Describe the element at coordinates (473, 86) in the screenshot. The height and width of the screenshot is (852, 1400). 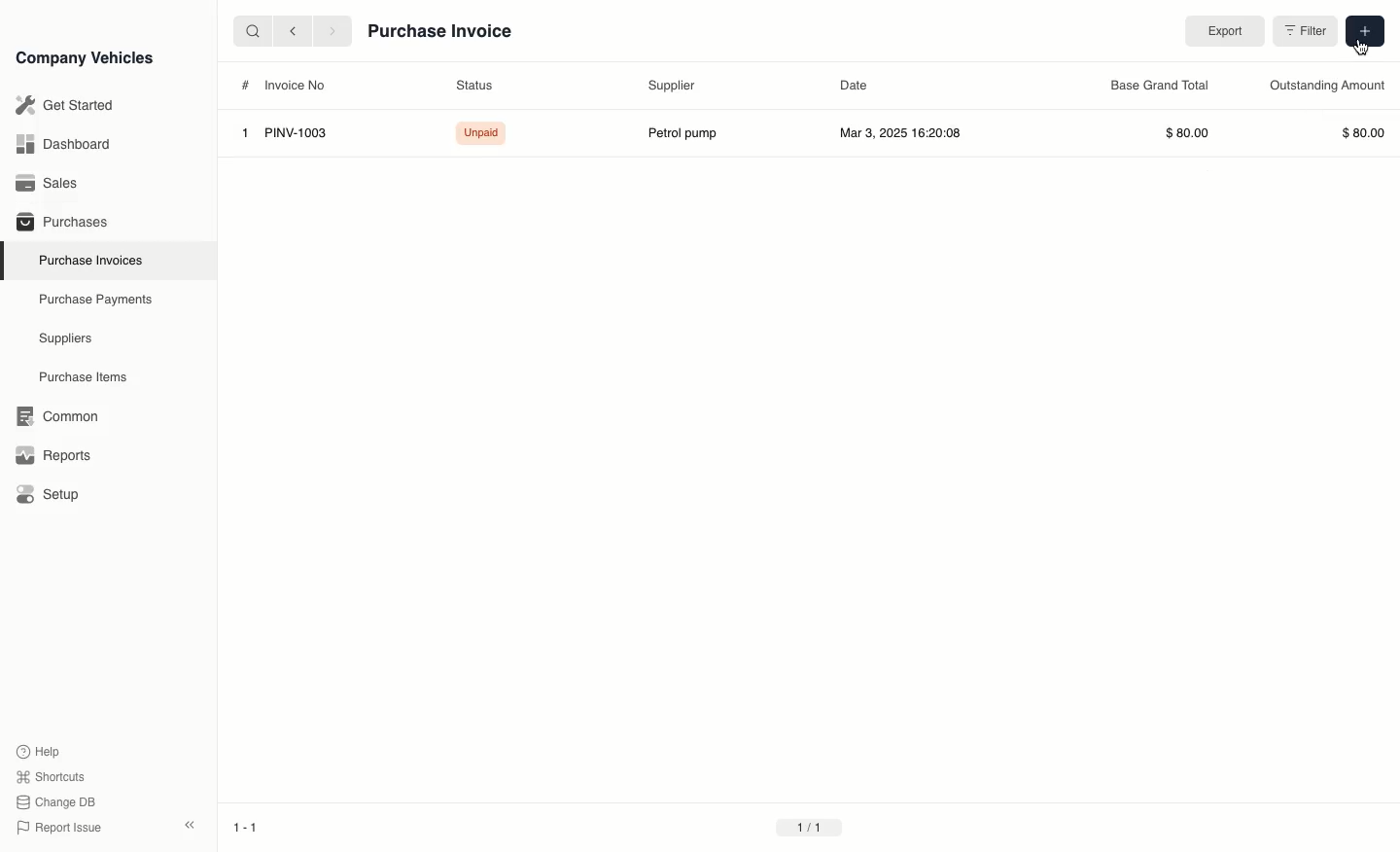
I see `Status` at that location.